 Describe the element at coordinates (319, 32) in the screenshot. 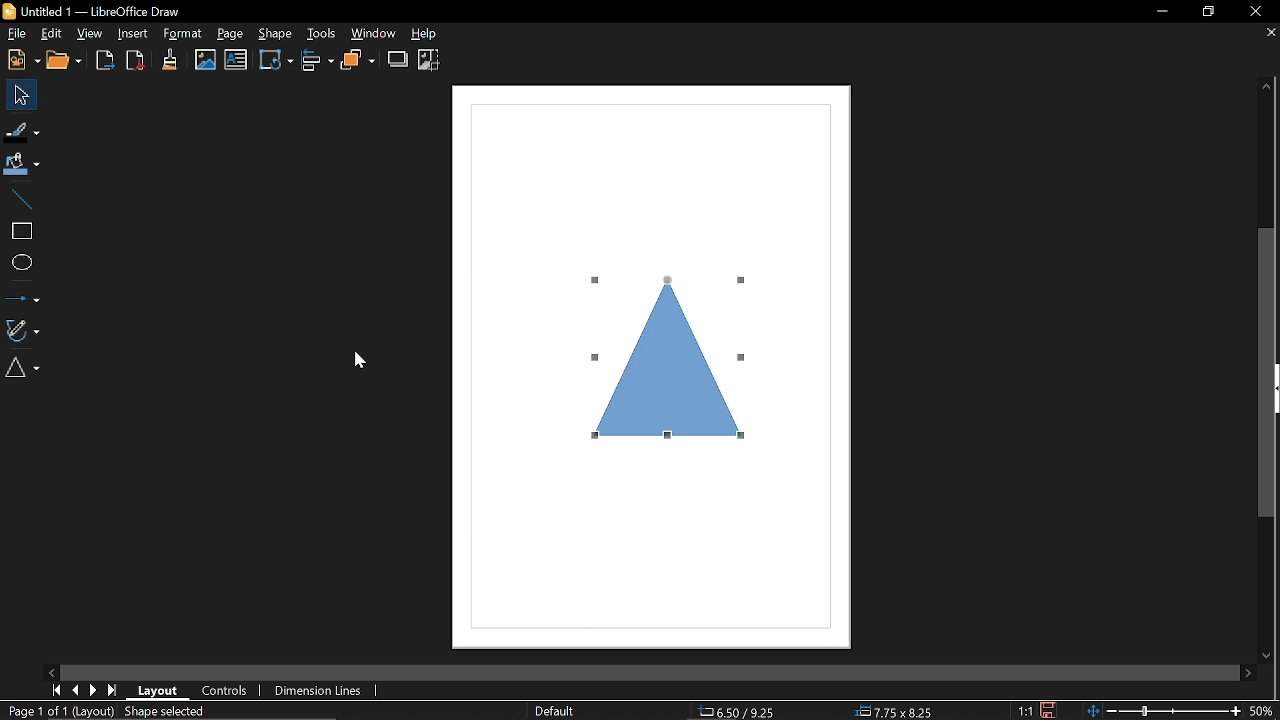

I see `Tools` at that location.